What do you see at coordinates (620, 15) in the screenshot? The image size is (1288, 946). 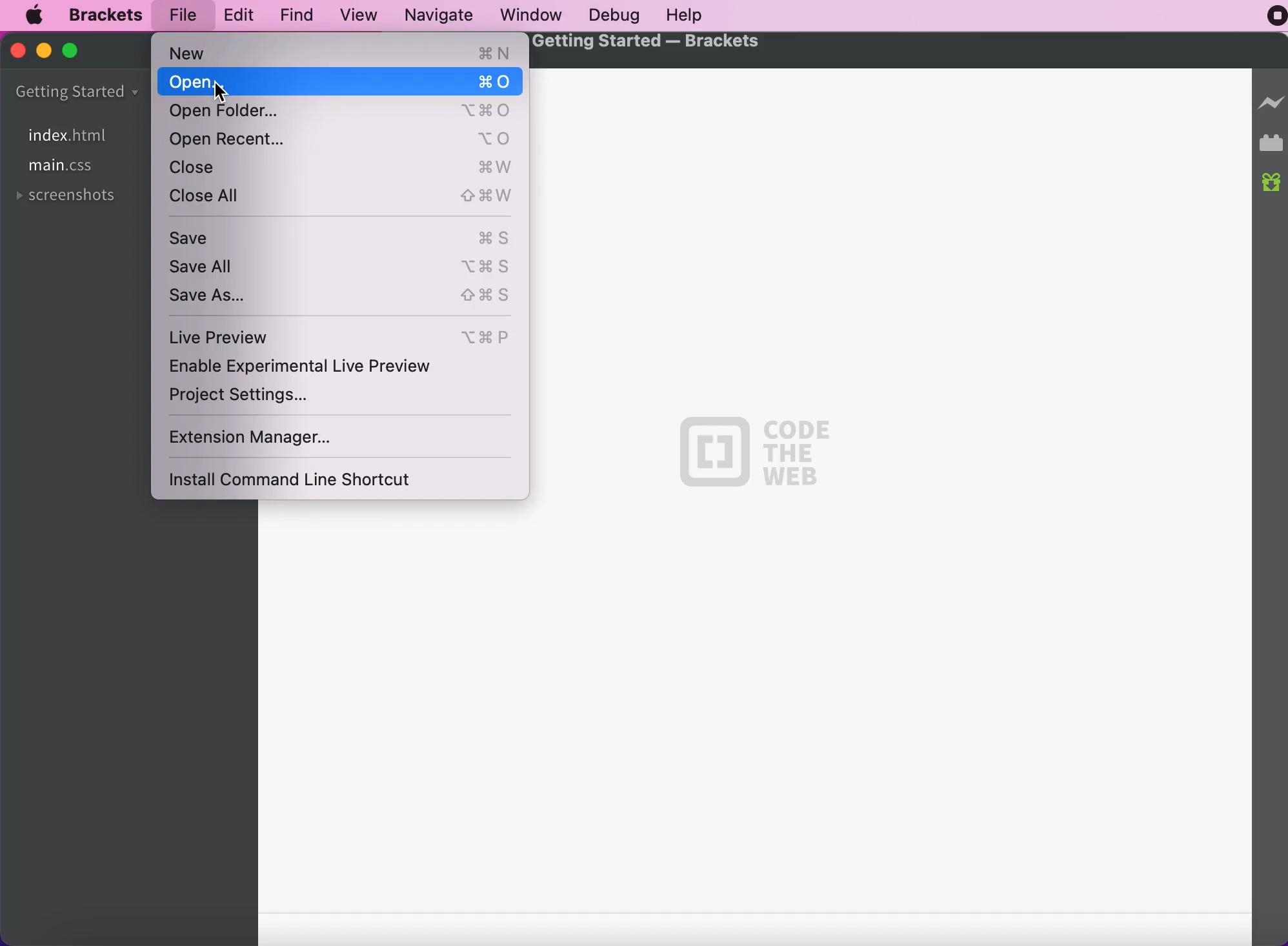 I see `debug` at bounding box center [620, 15].